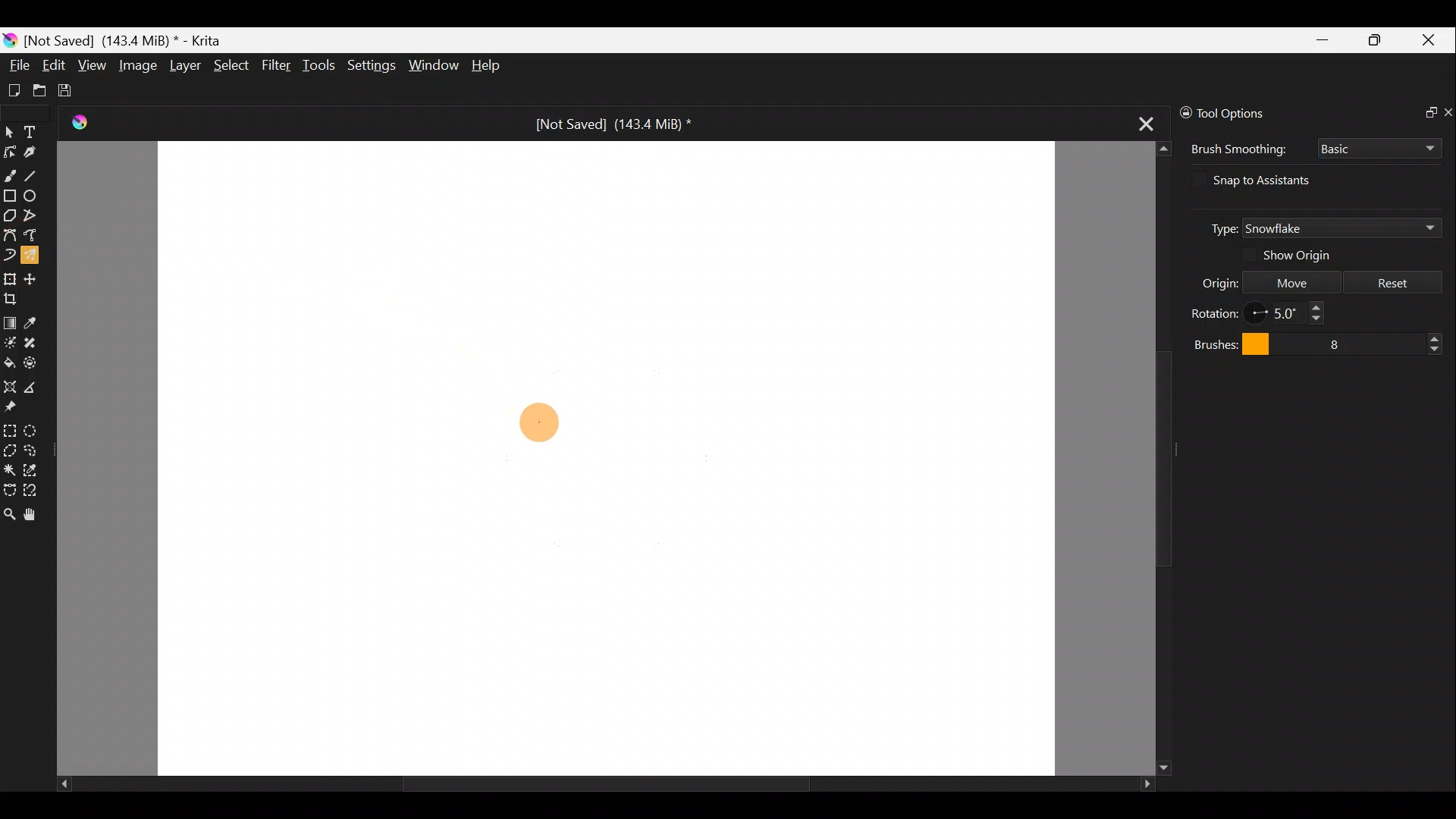 Image resolution: width=1456 pixels, height=819 pixels. I want to click on Edit, so click(54, 66).